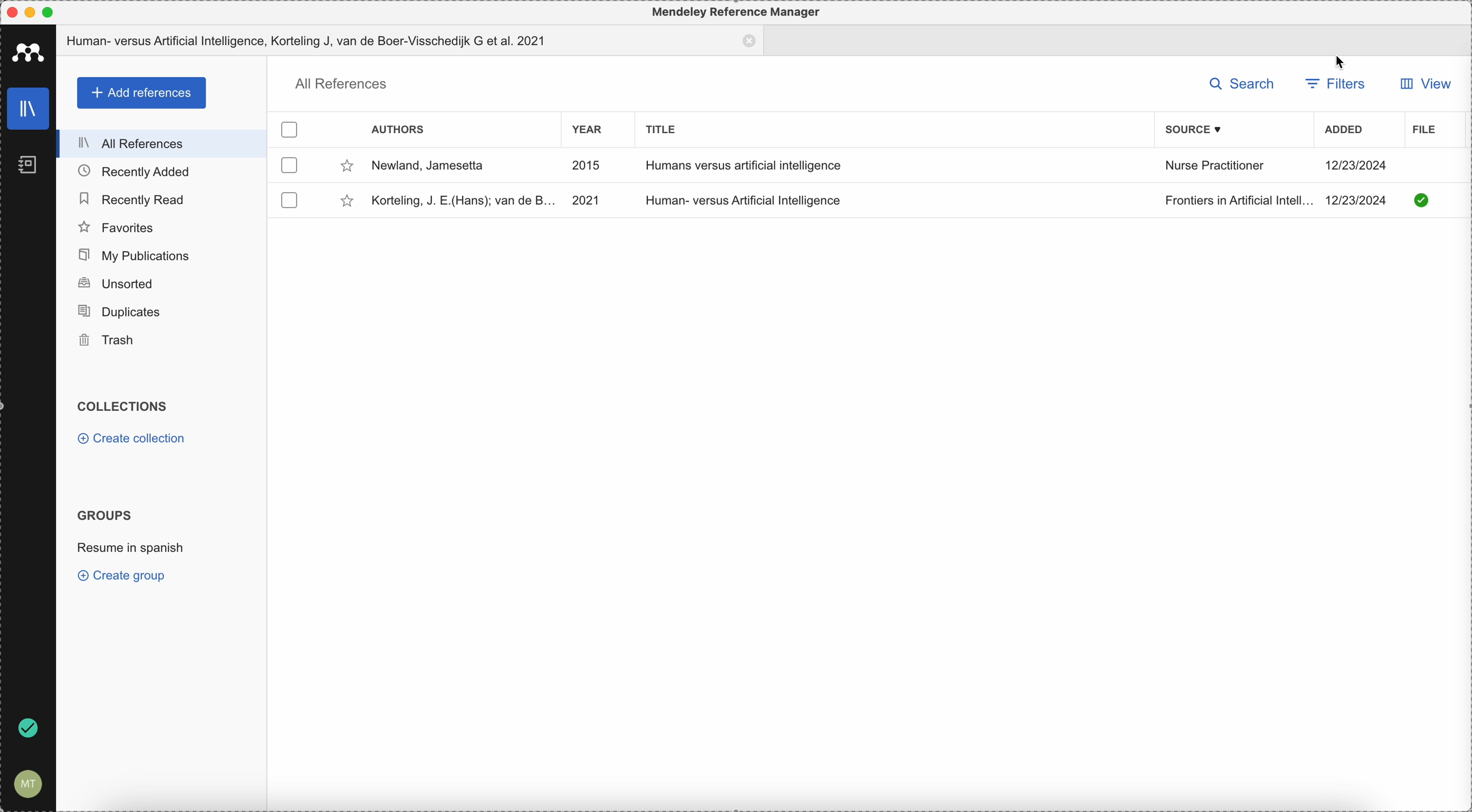 The height and width of the screenshot is (812, 1472). Describe the element at coordinates (587, 166) in the screenshot. I see `2015` at that location.